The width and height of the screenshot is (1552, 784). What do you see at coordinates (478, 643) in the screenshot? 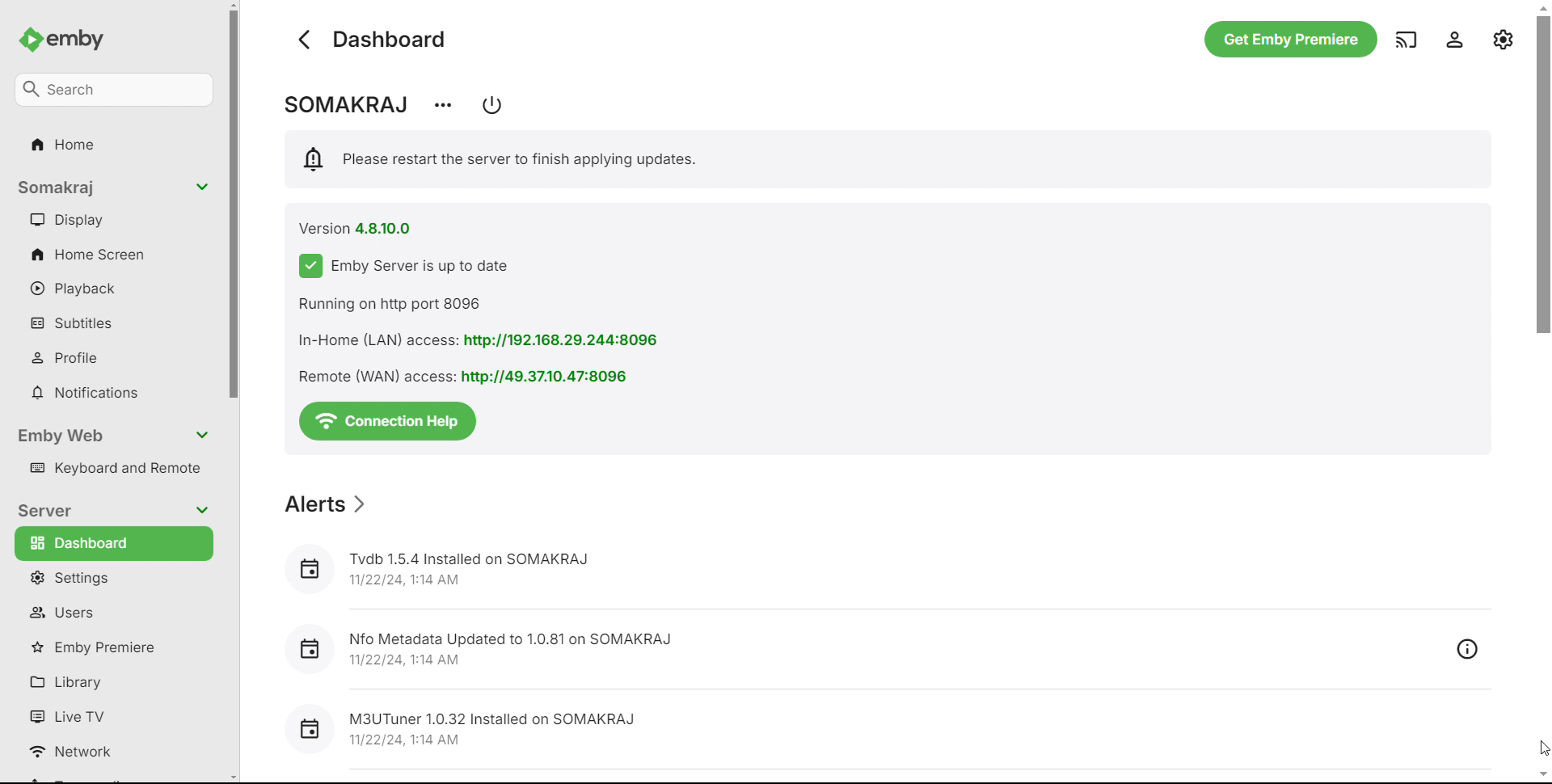
I see `& Nfo Metadata Updated to 1.0.81 on SOMAKRAJ
11/22/24, 1:14 AM` at bounding box center [478, 643].